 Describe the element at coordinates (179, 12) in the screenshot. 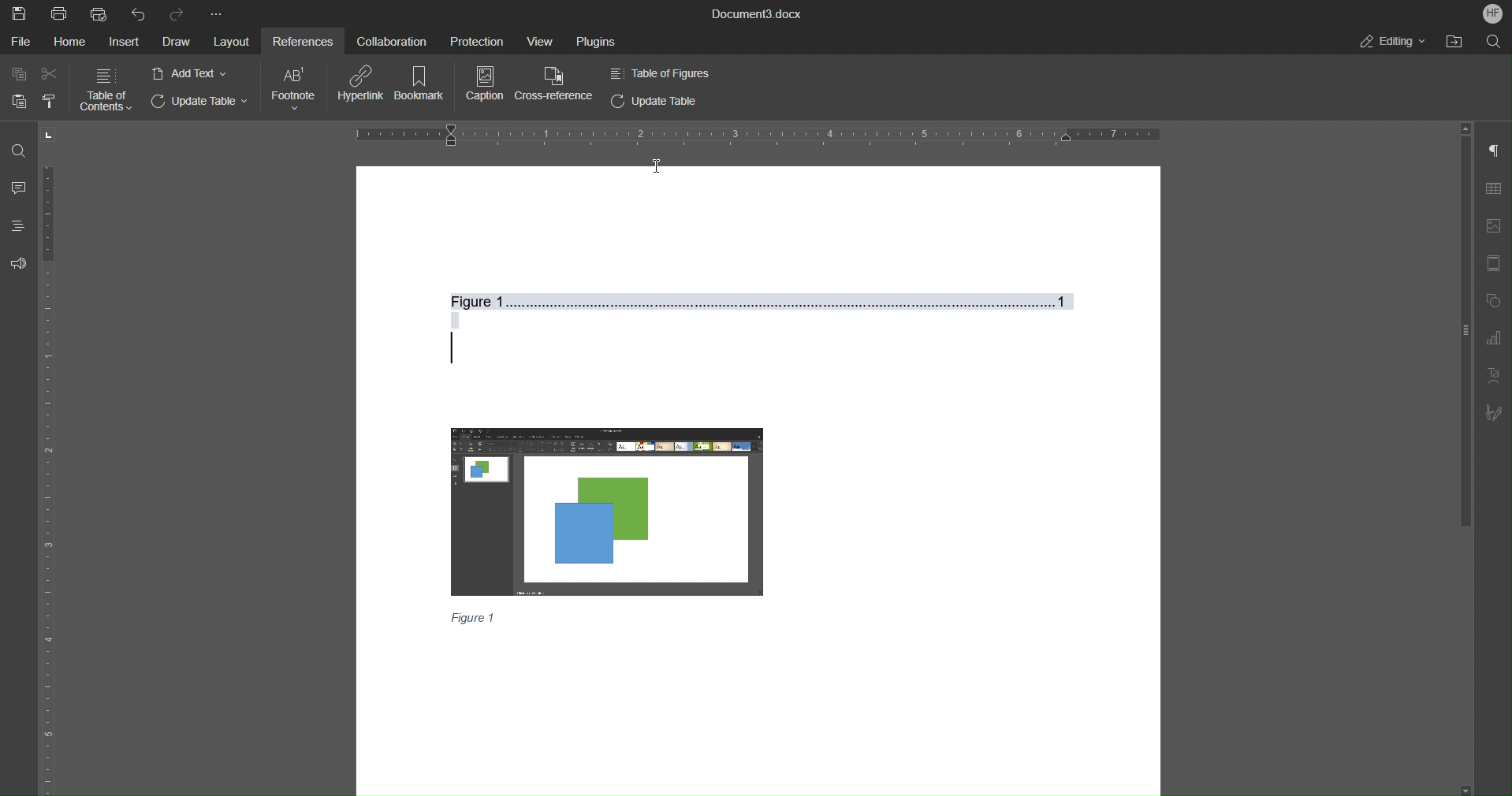

I see `Redo` at that location.